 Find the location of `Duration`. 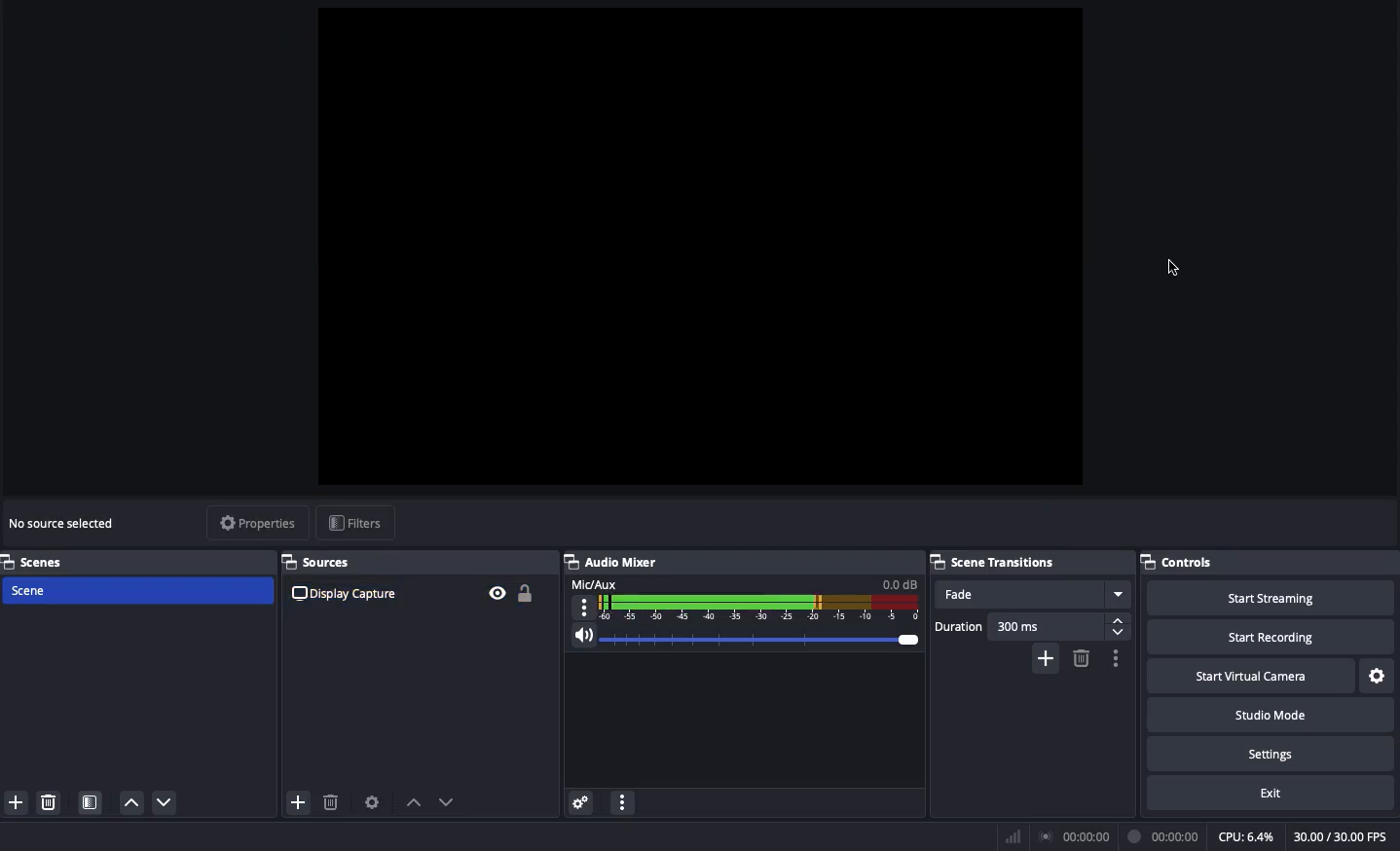

Duration is located at coordinates (1032, 626).